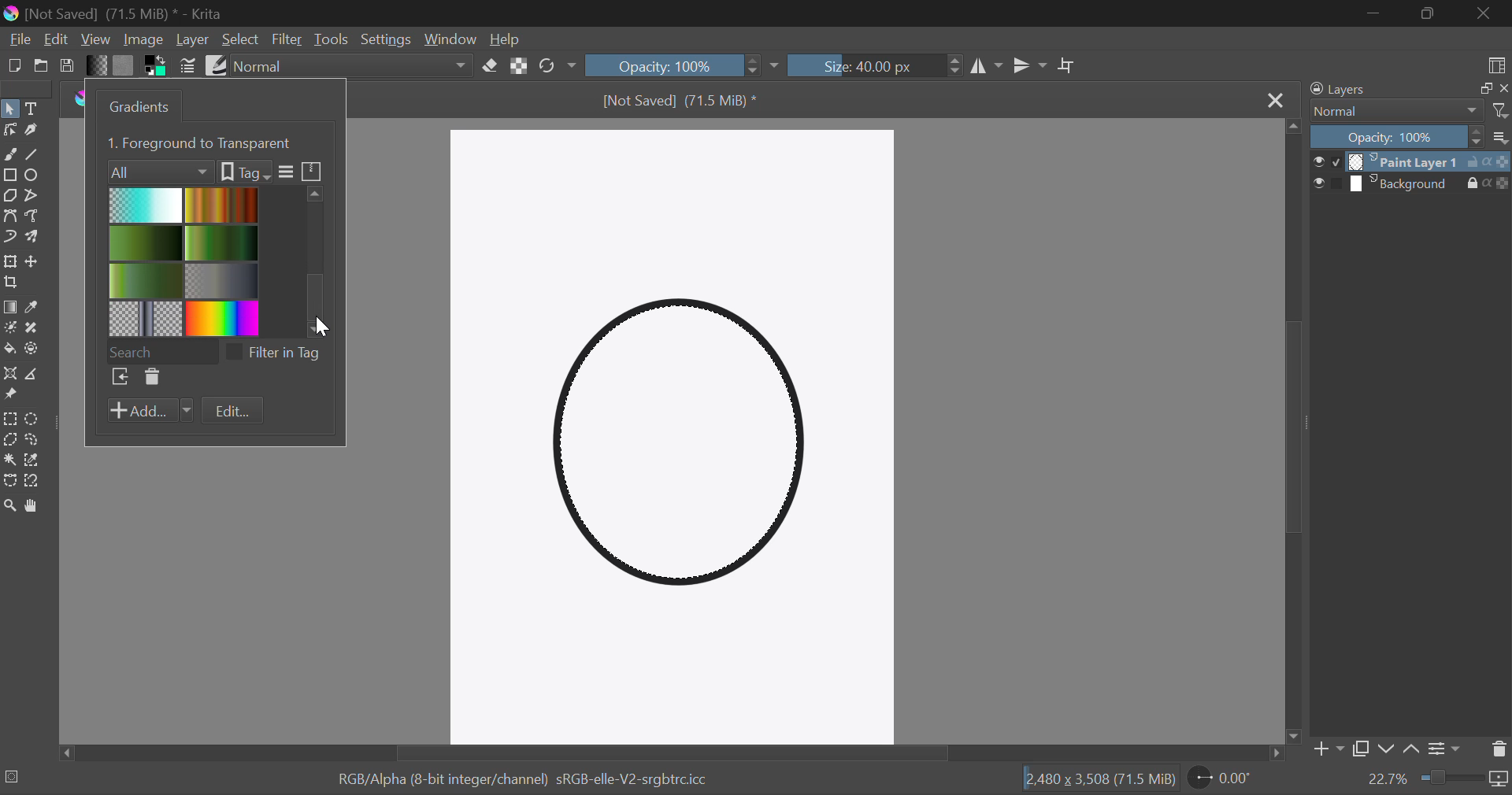  Describe the element at coordinates (188, 67) in the screenshot. I see `Brush Settings` at that location.